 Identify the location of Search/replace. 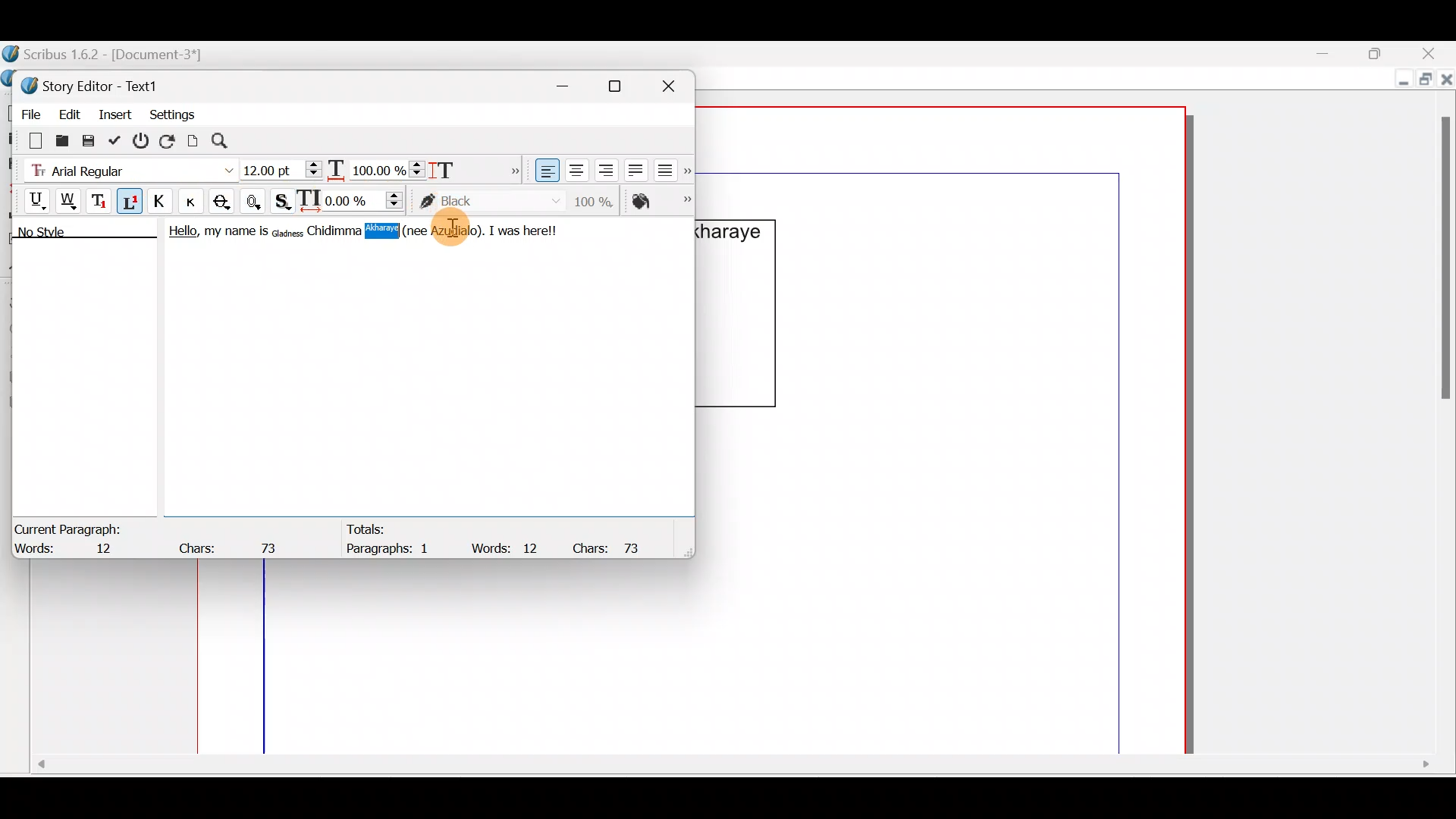
(228, 141).